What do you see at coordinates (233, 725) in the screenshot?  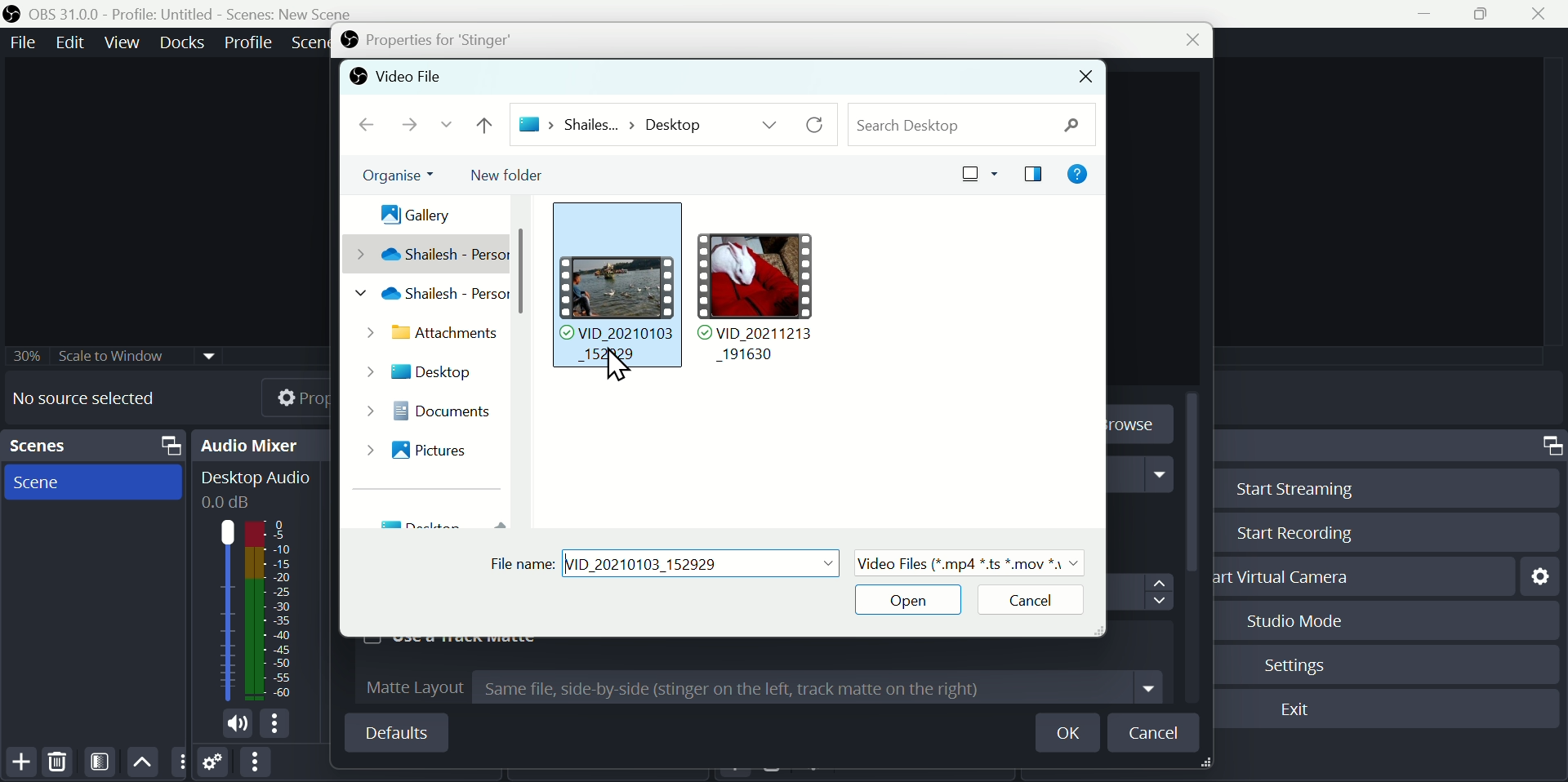 I see `volume` at bounding box center [233, 725].